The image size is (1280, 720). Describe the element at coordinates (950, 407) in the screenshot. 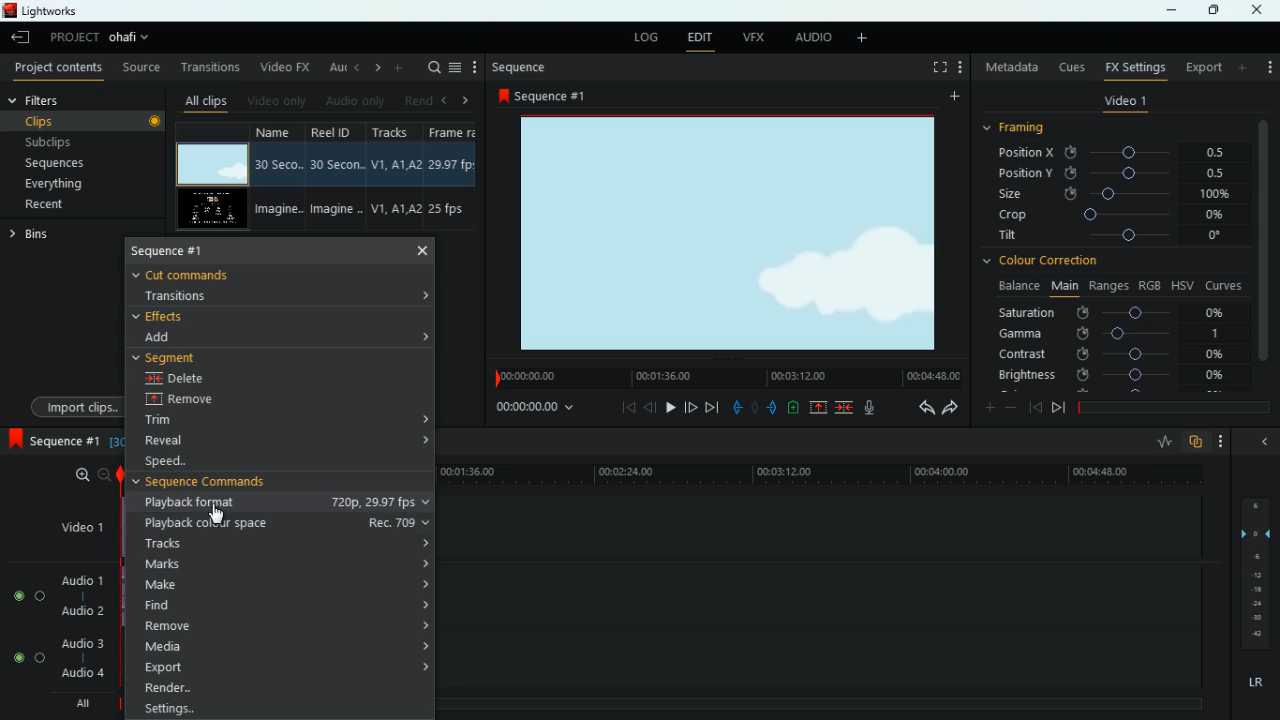

I see `forward` at that location.